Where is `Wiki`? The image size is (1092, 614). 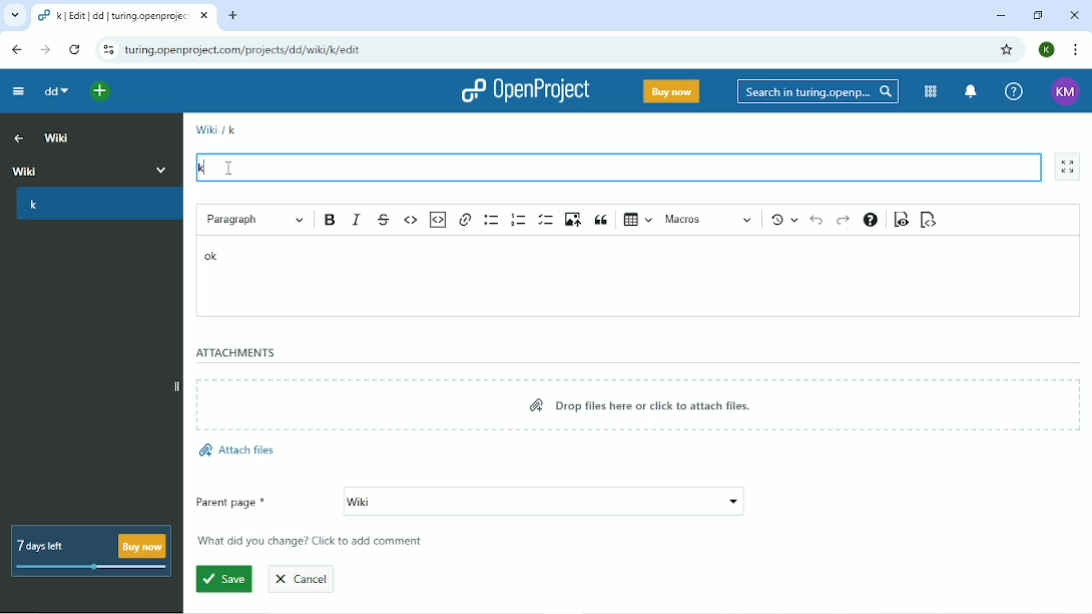 Wiki is located at coordinates (68, 169).